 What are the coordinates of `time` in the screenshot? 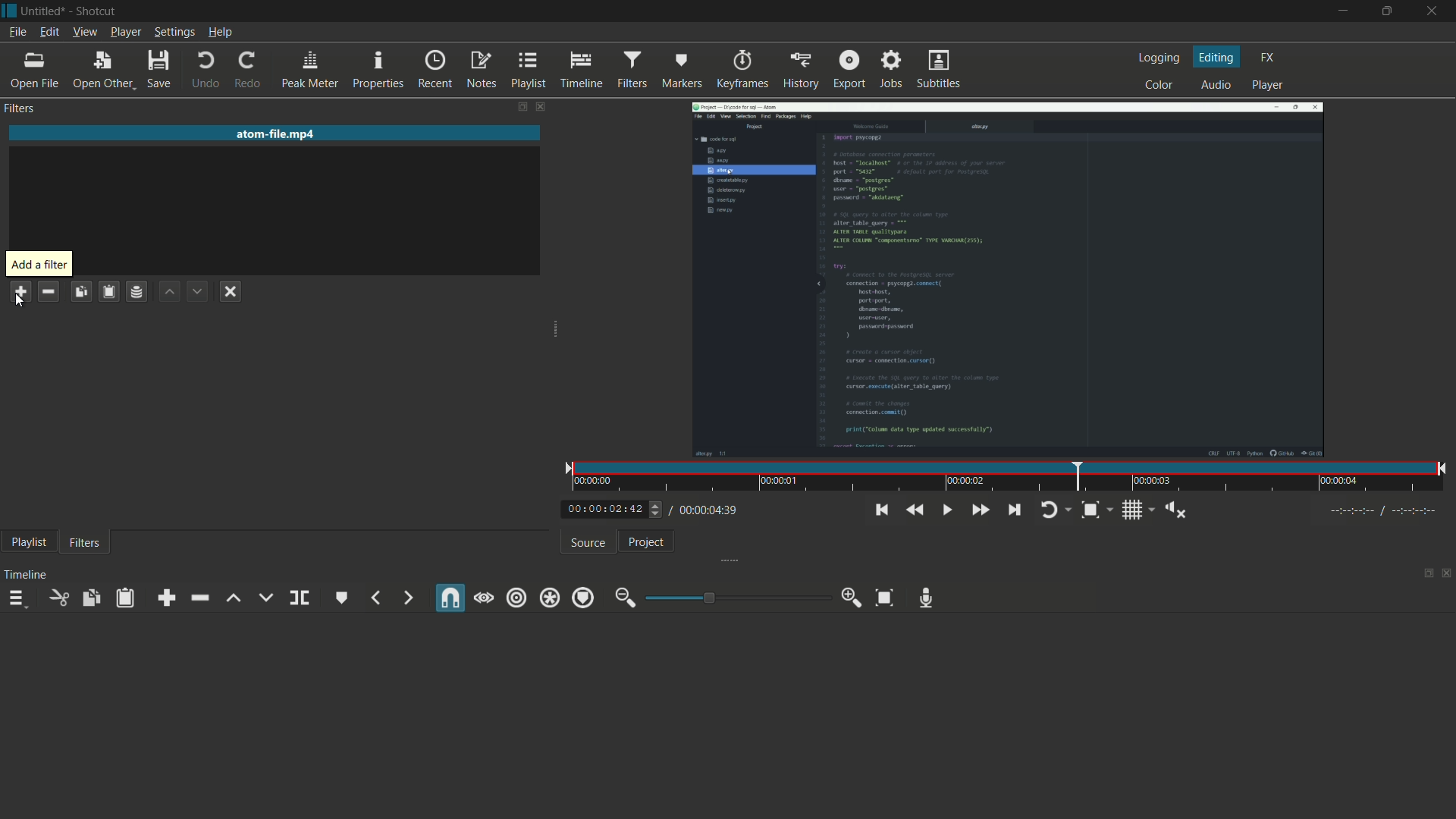 It's located at (1011, 477).